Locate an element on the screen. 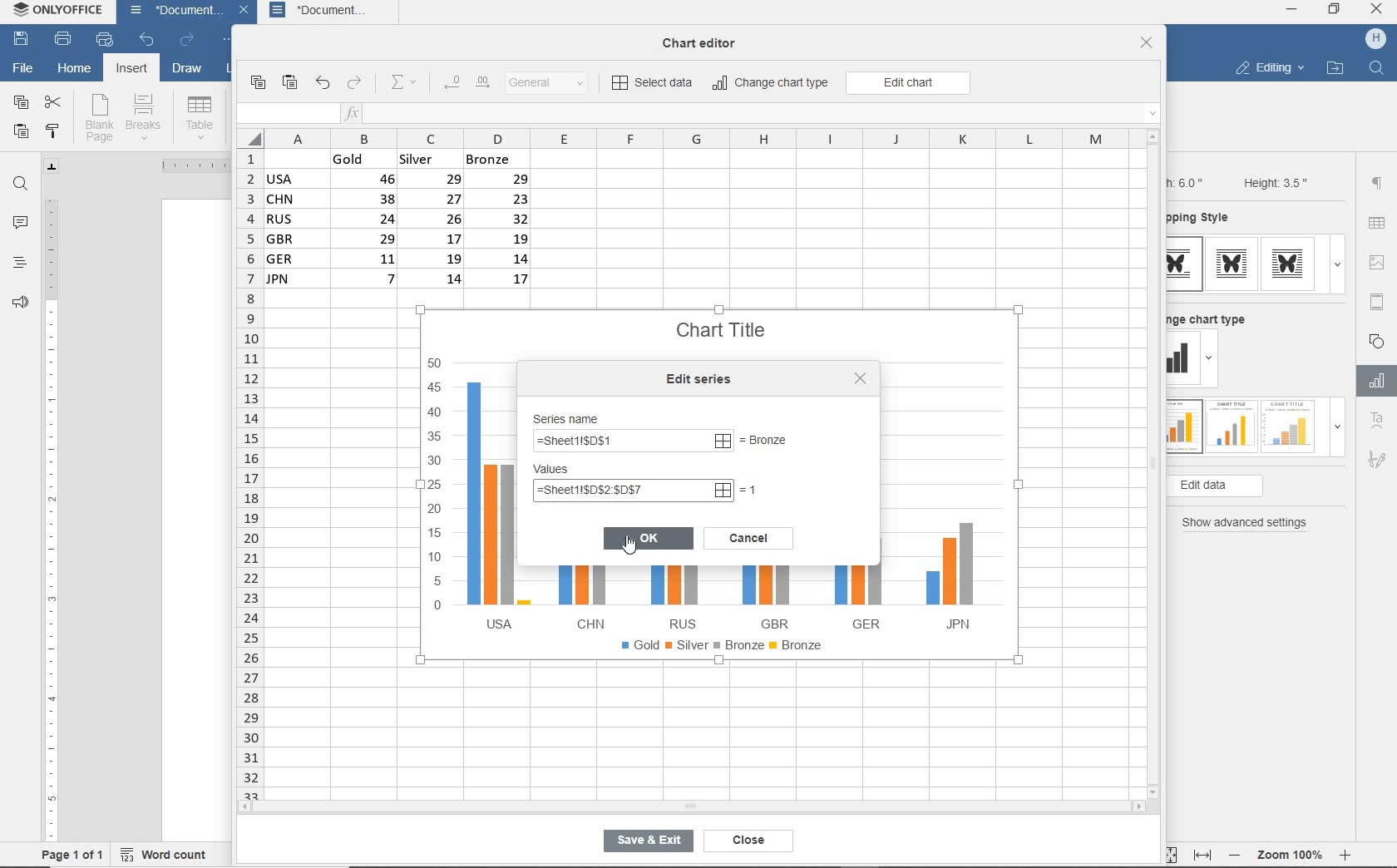  close is located at coordinates (1147, 44).